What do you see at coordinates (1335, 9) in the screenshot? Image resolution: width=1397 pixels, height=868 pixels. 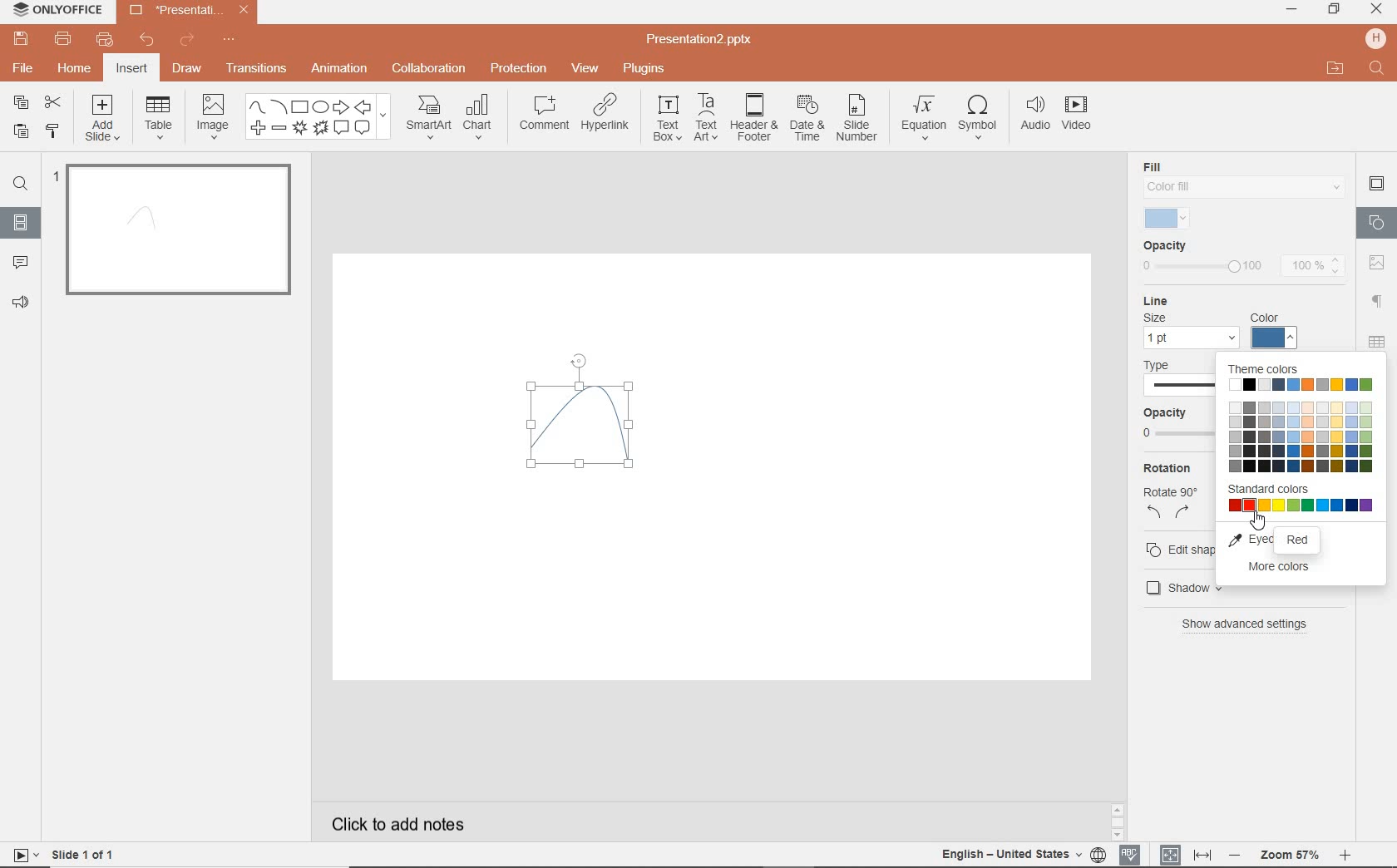 I see `RESTORE` at bounding box center [1335, 9].